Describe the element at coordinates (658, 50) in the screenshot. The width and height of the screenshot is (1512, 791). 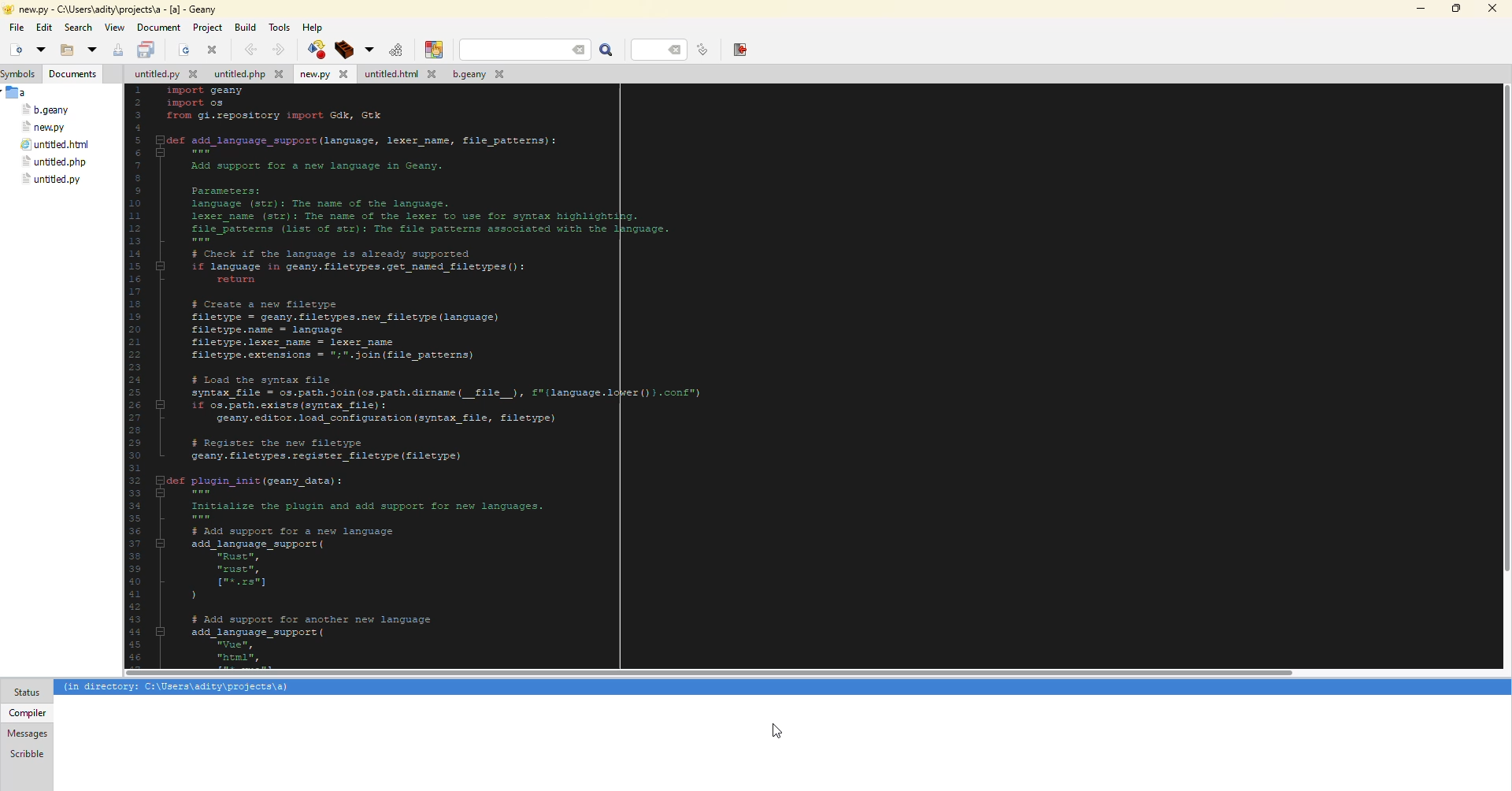
I see `line` at that location.